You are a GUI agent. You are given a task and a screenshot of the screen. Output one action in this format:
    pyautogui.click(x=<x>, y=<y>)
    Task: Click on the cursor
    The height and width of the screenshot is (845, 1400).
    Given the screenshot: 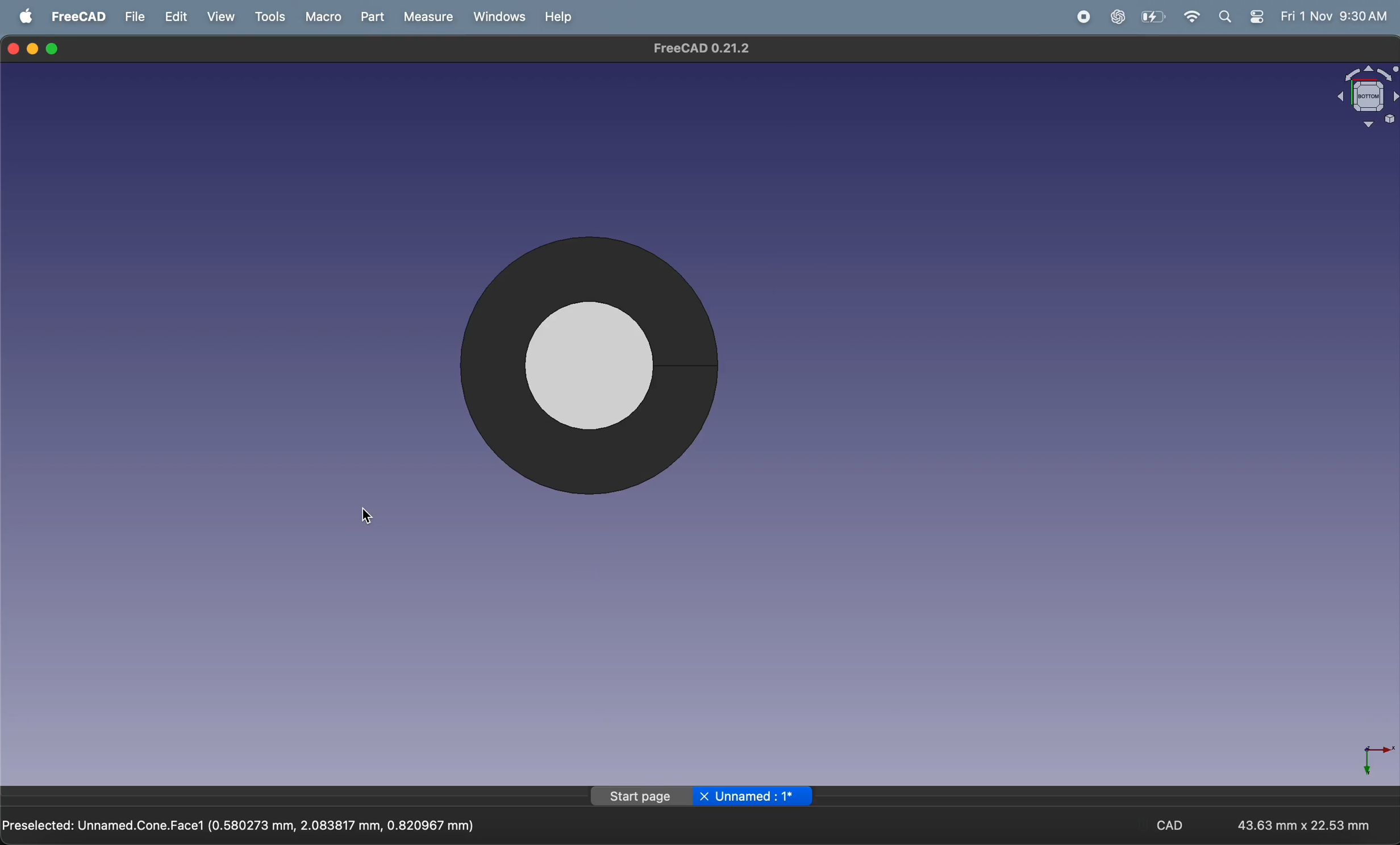 What is the action you would take?
    pyautogui.click(x=368, y=516)
    